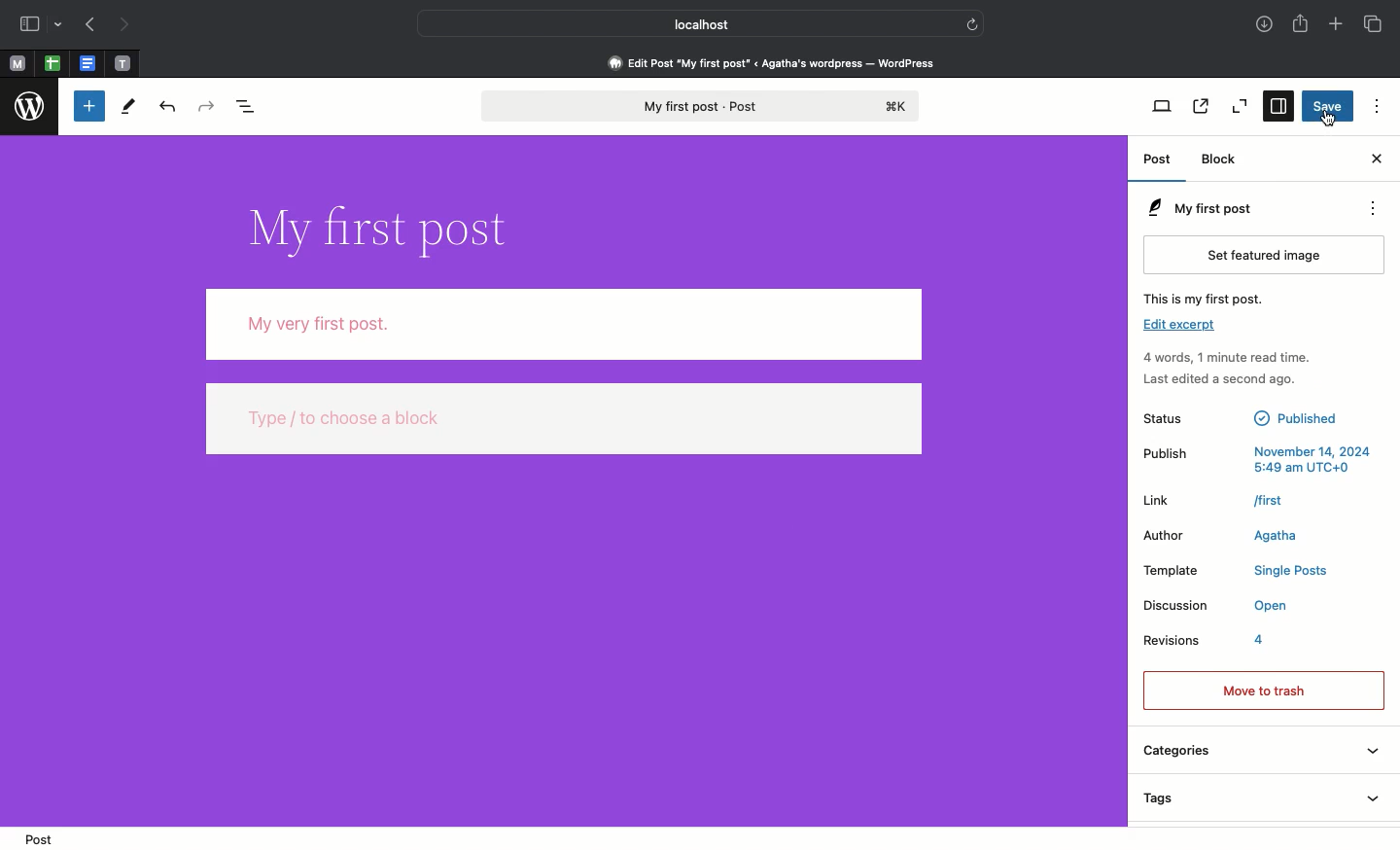 Image resolution: width=1400 pixels, height=850 pixels. I want to click on Undo, so click(165, 108).